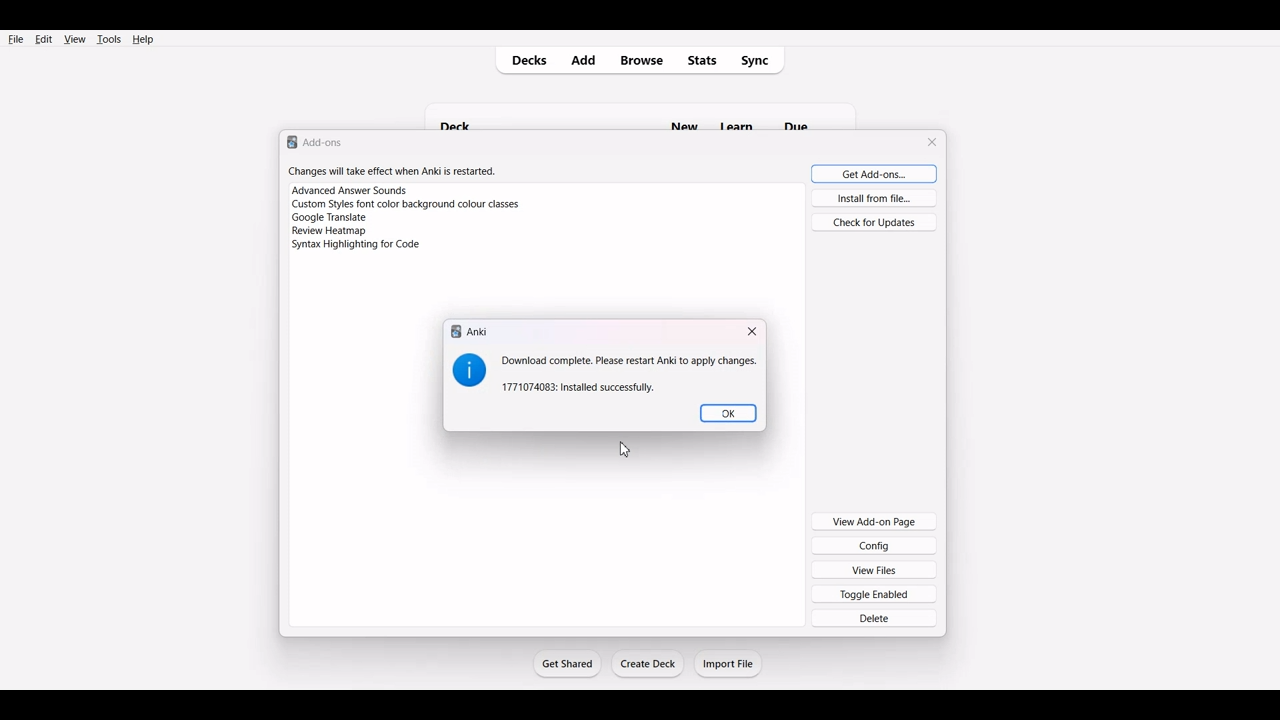 The height and width of the screenshot is (720, 1280). What do you see at coordinates (873, 198) in the screenshot?
I see `Install from file` at bounding box center [873, 198].